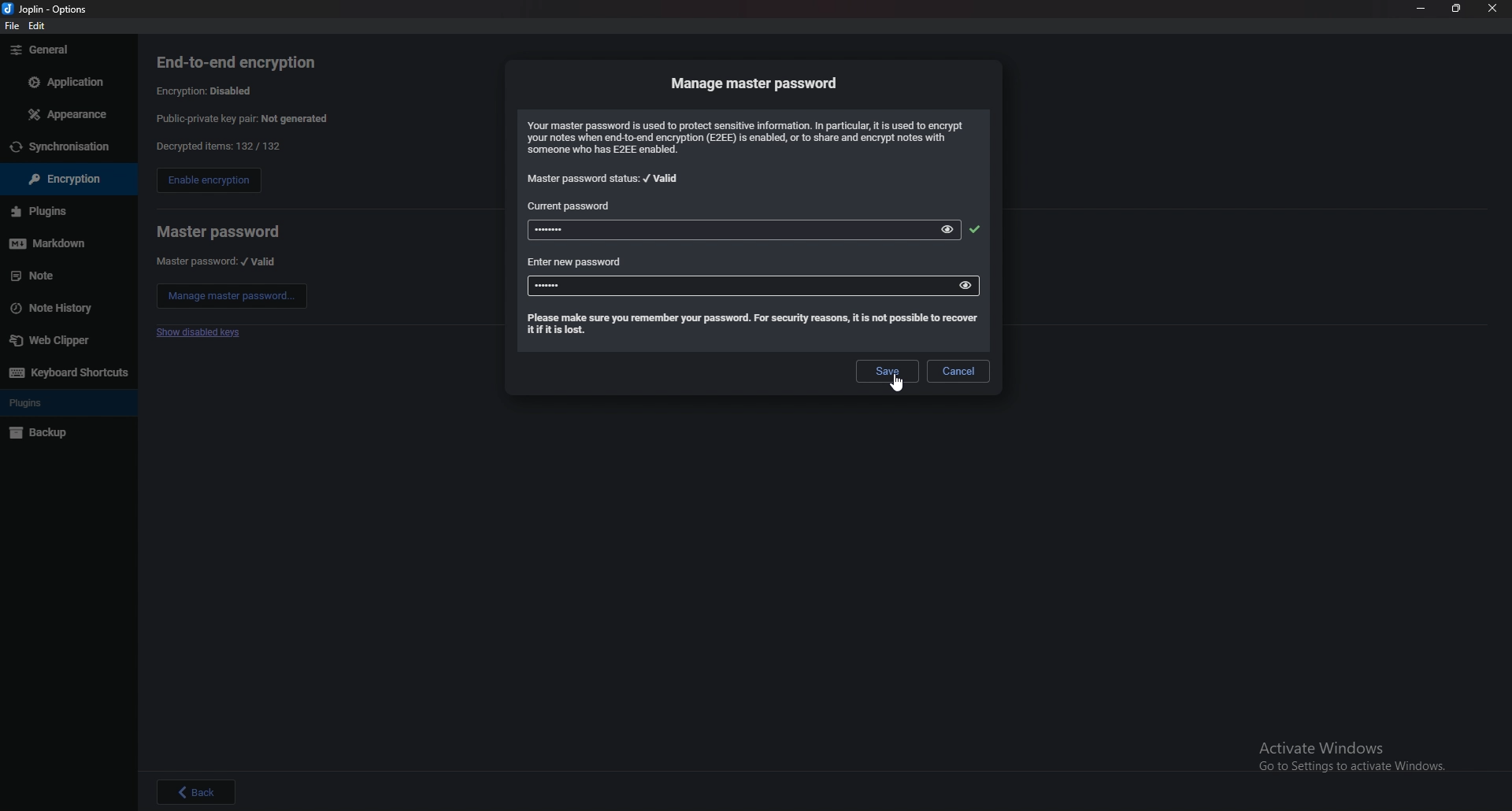 This screenshot has width=1512, height=811. I want to click on manage master password, so click(232, 296).